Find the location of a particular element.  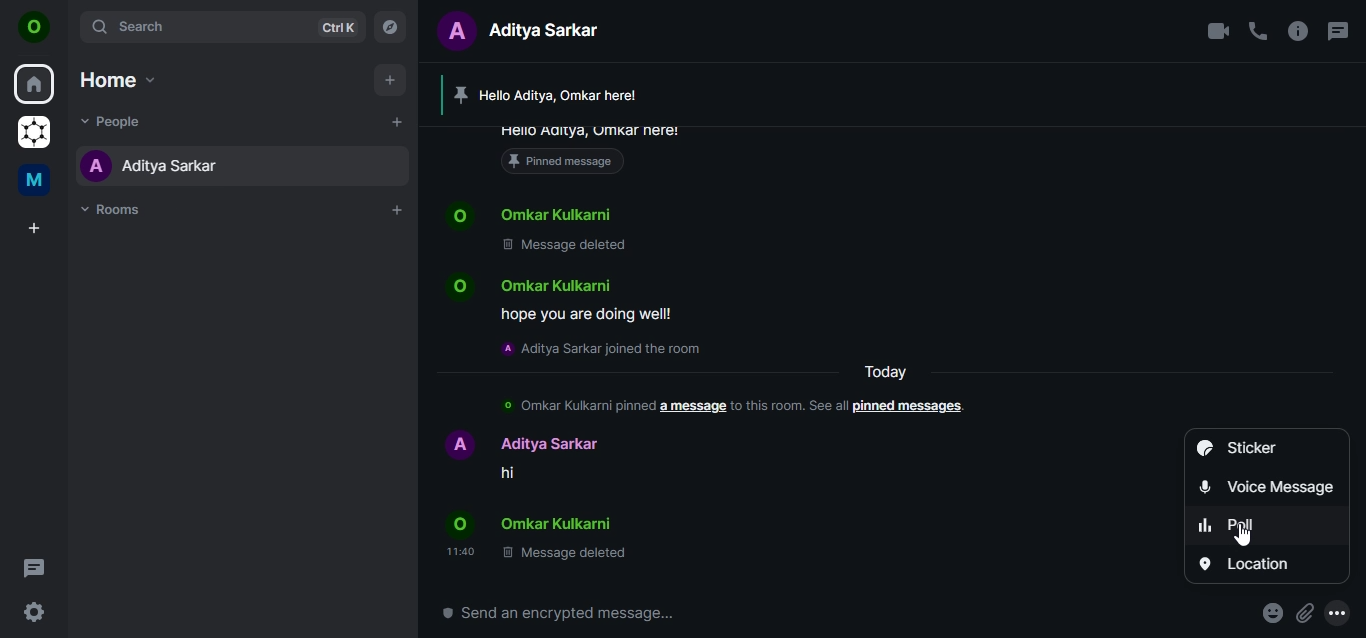

rooms is located at coordinates (117, 210).